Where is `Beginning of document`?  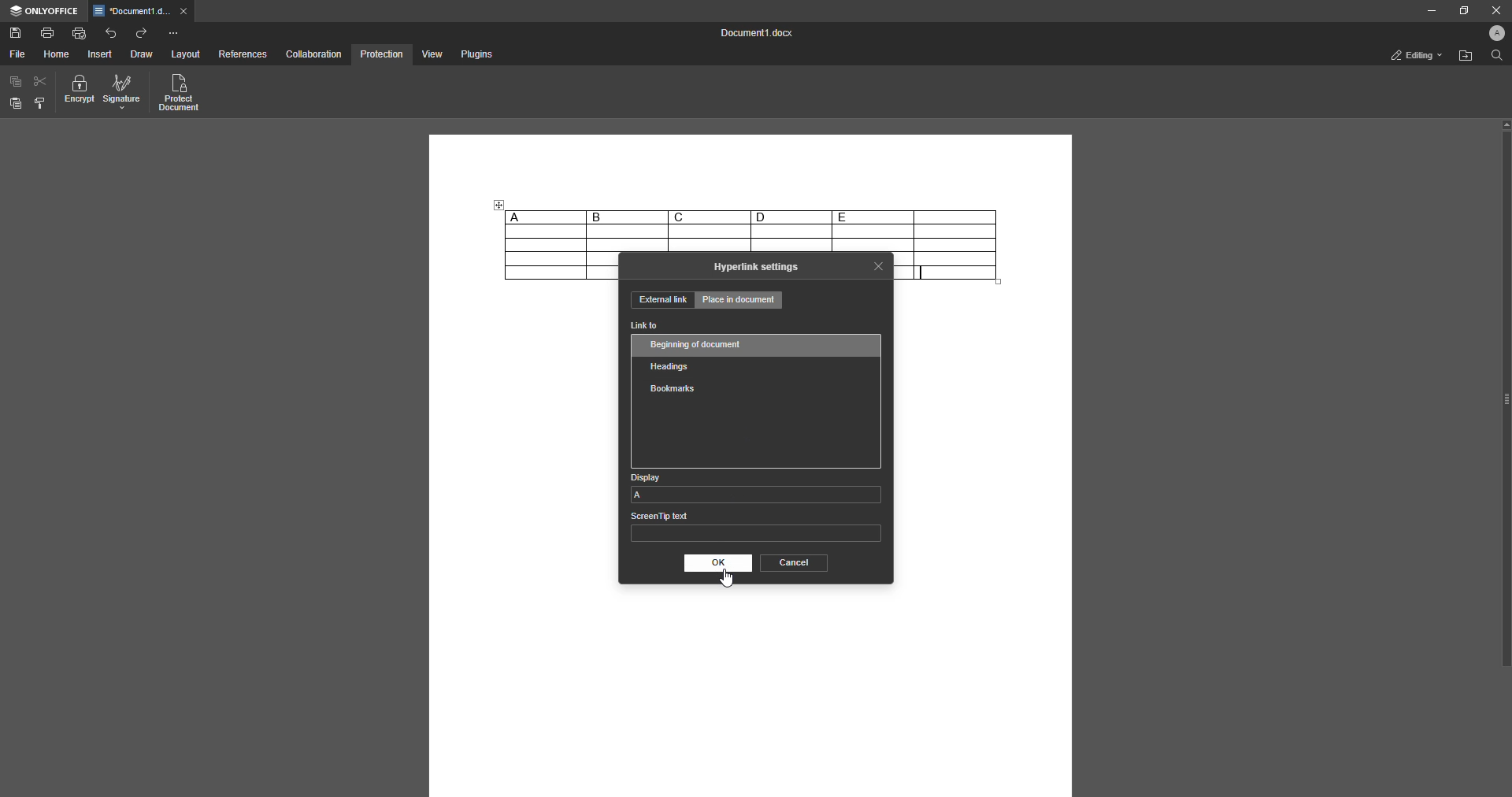
Beginning of document is located at coordinates (699, 344).